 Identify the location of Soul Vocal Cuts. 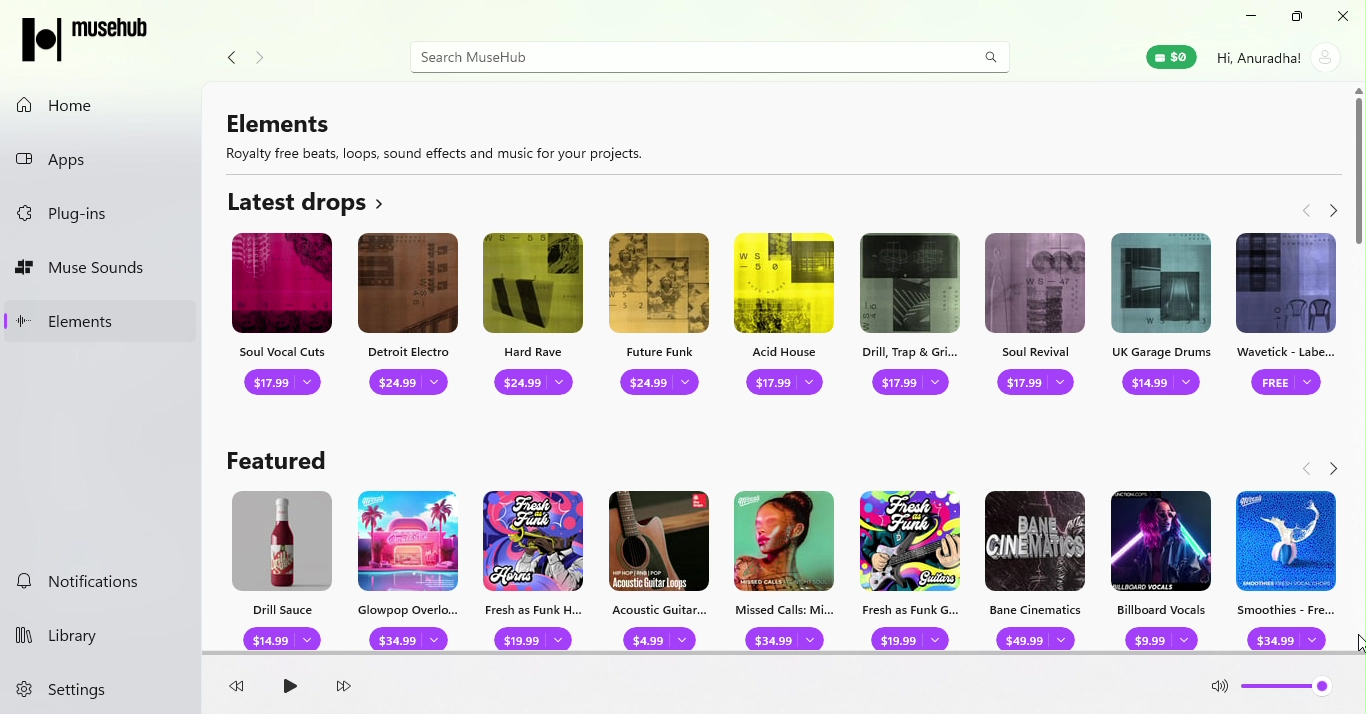
(279, 317).